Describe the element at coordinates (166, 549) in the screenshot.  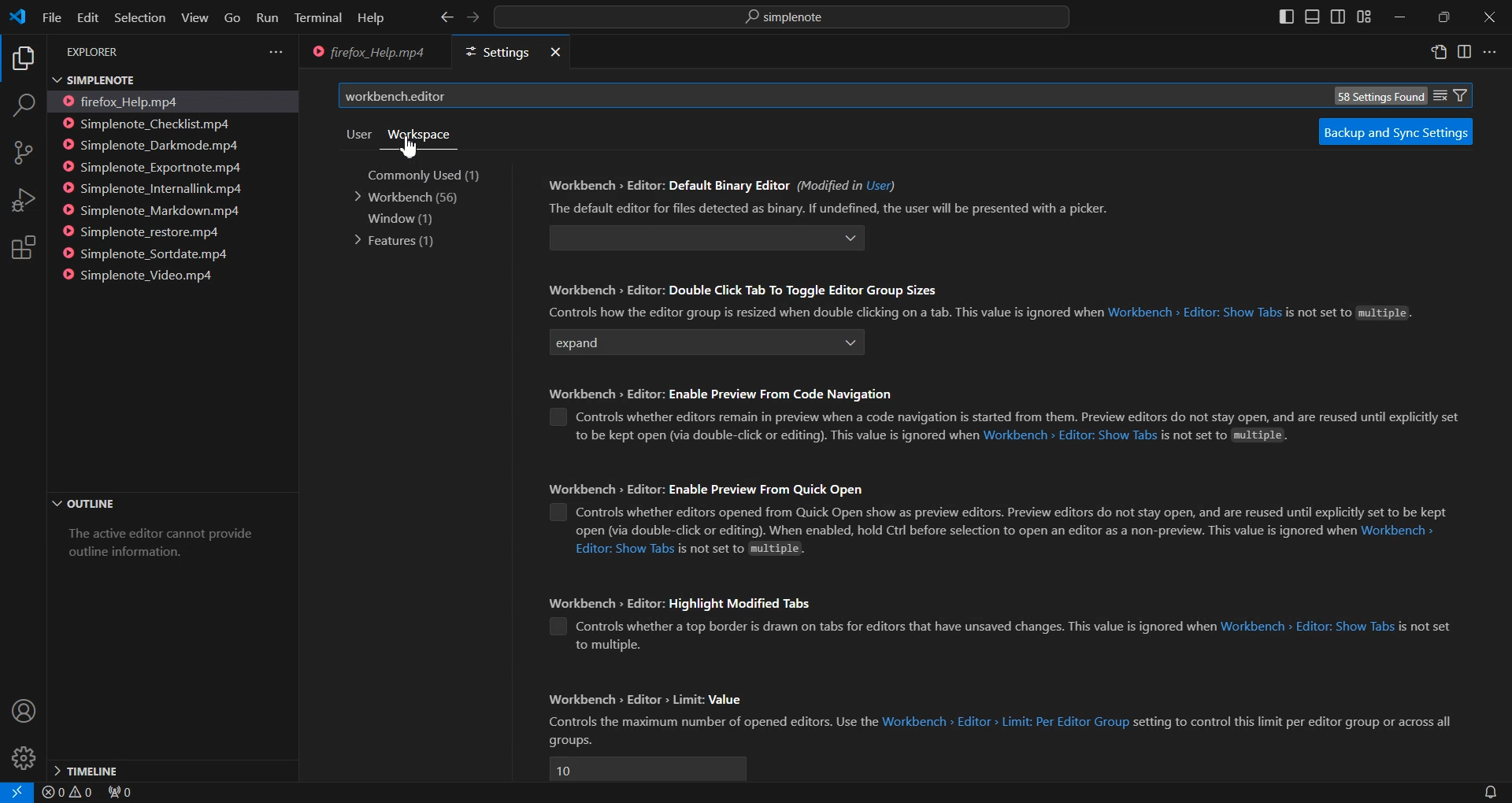
I see `The active editor cannot provide
outline information.` at that location.